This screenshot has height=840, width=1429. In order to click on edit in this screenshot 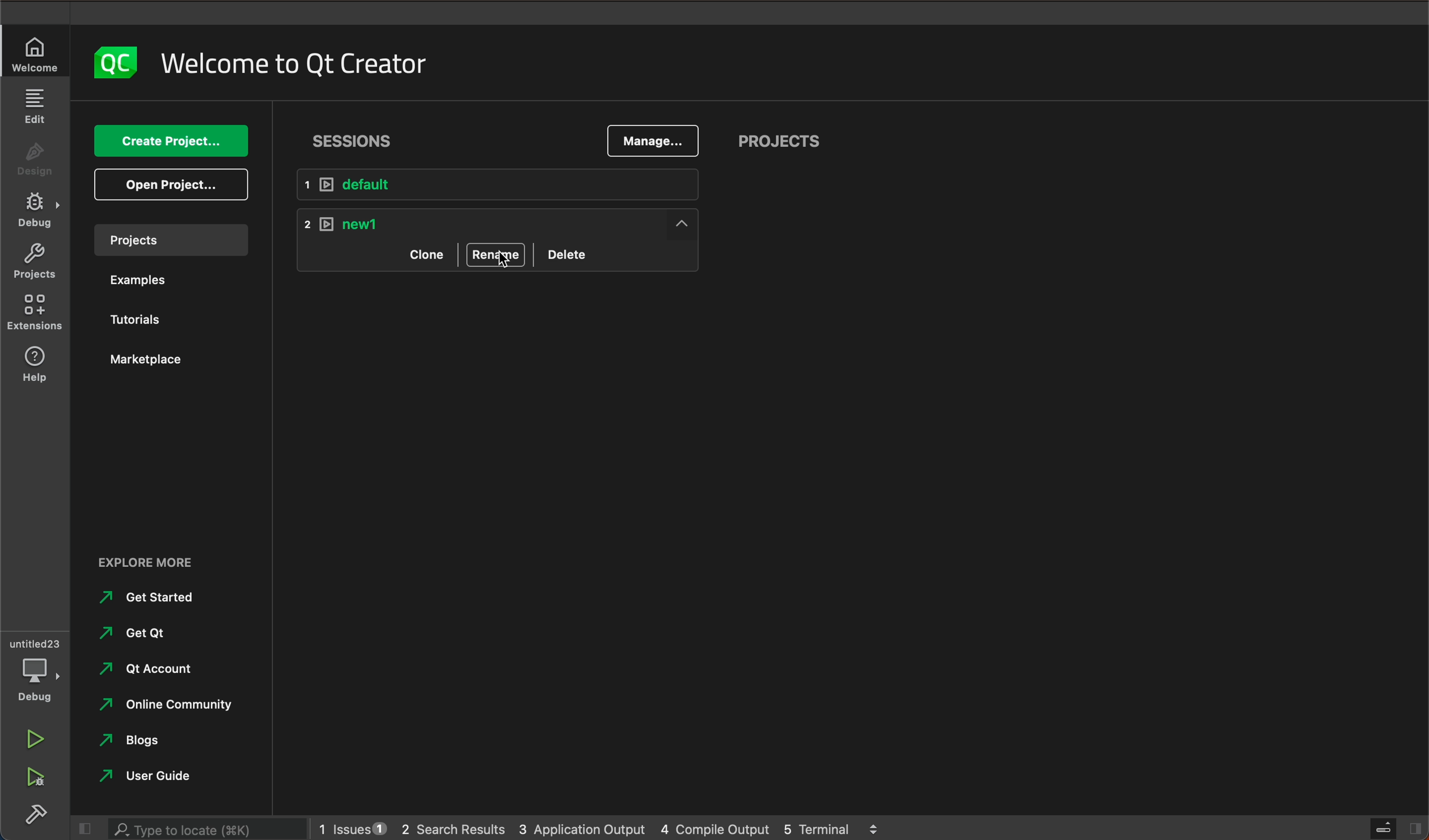, I will do `click(36, 108)`.